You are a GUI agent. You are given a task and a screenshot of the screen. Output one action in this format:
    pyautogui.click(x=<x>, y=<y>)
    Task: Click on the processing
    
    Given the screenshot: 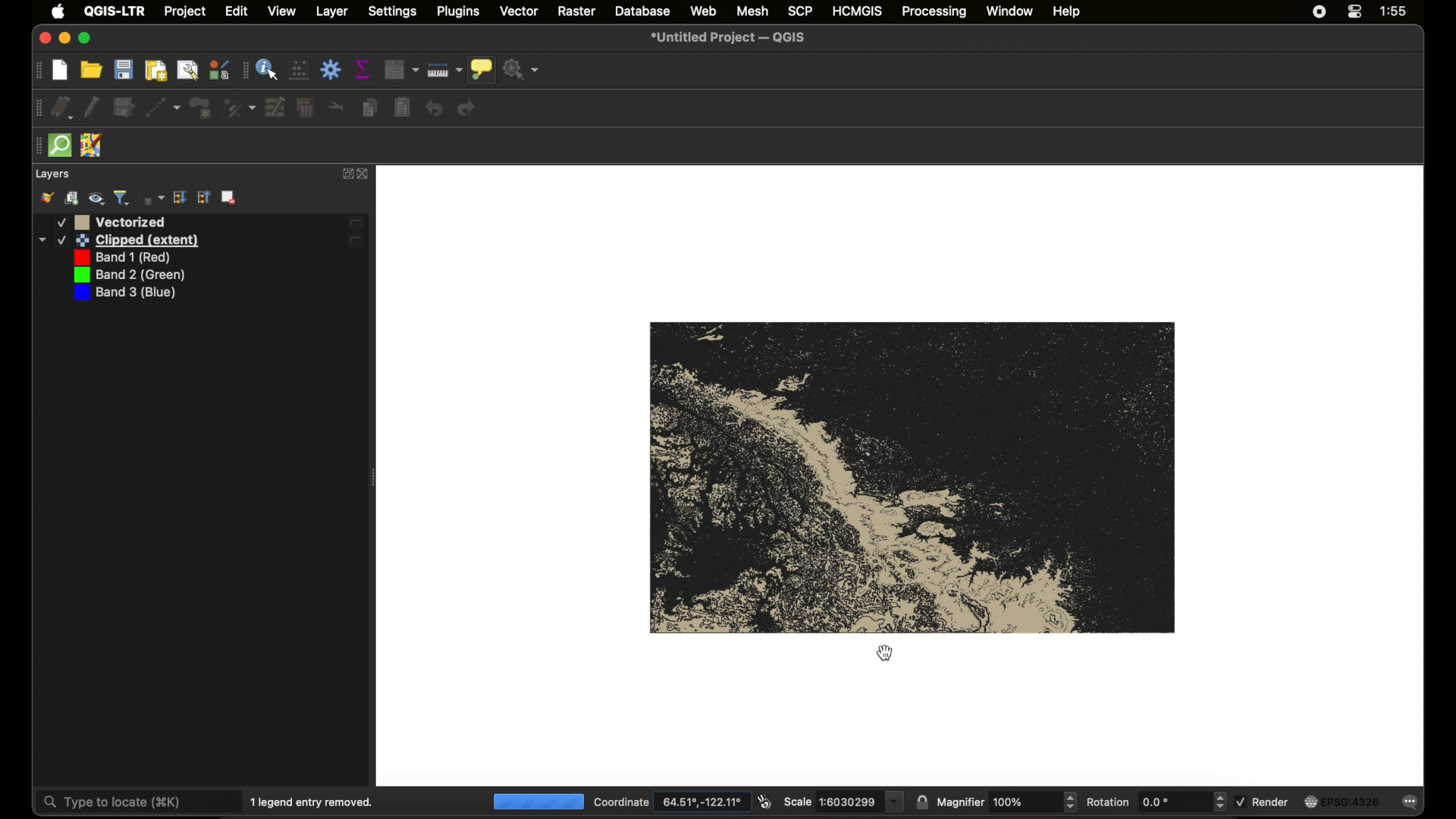 What is the action you would take?
    pyautogui.click(x=935, y=12)
    